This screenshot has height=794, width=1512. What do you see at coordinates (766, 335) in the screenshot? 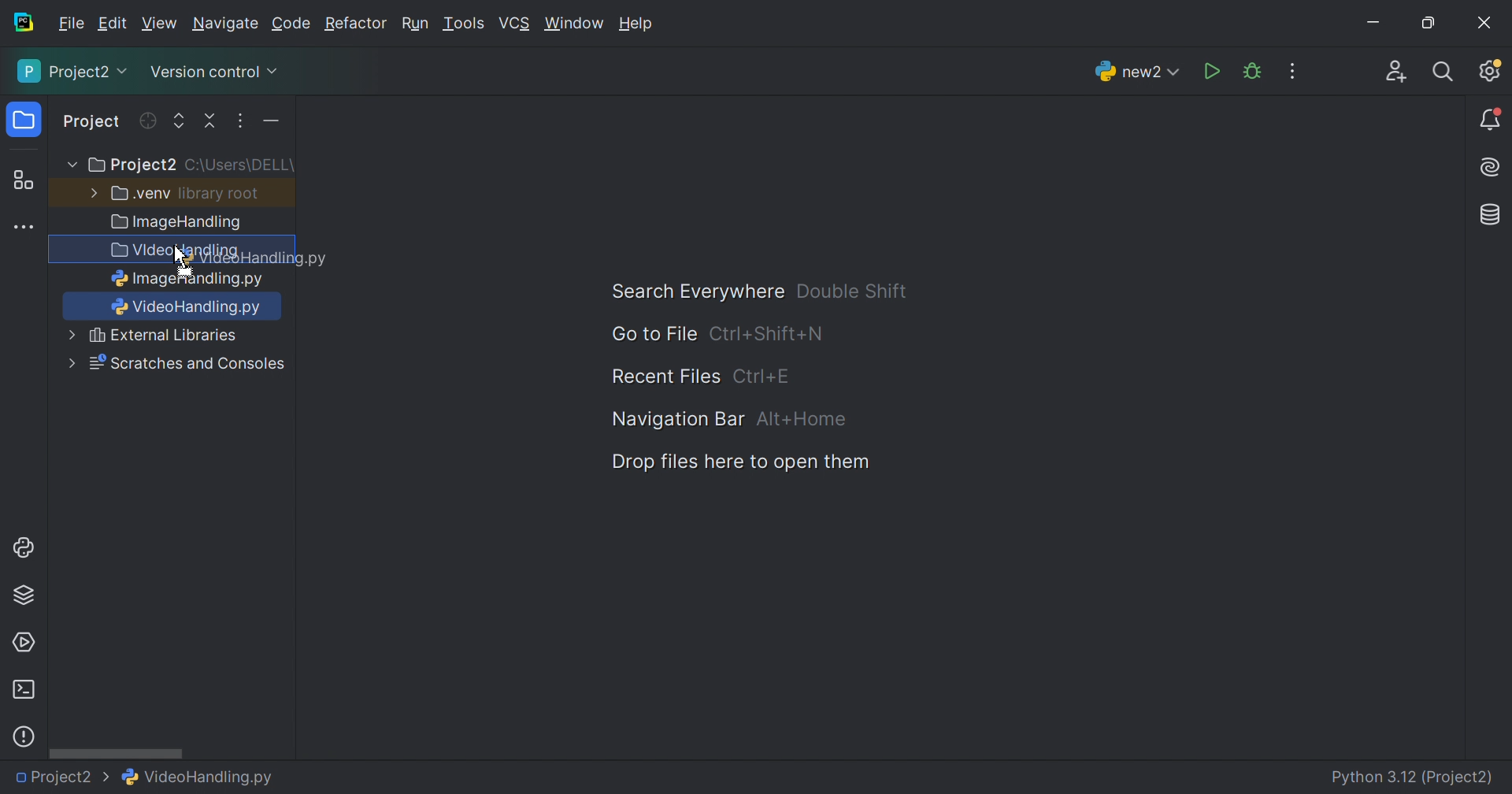
I see `Ctrl+Shuft+N` at bounding box center [766, 335].